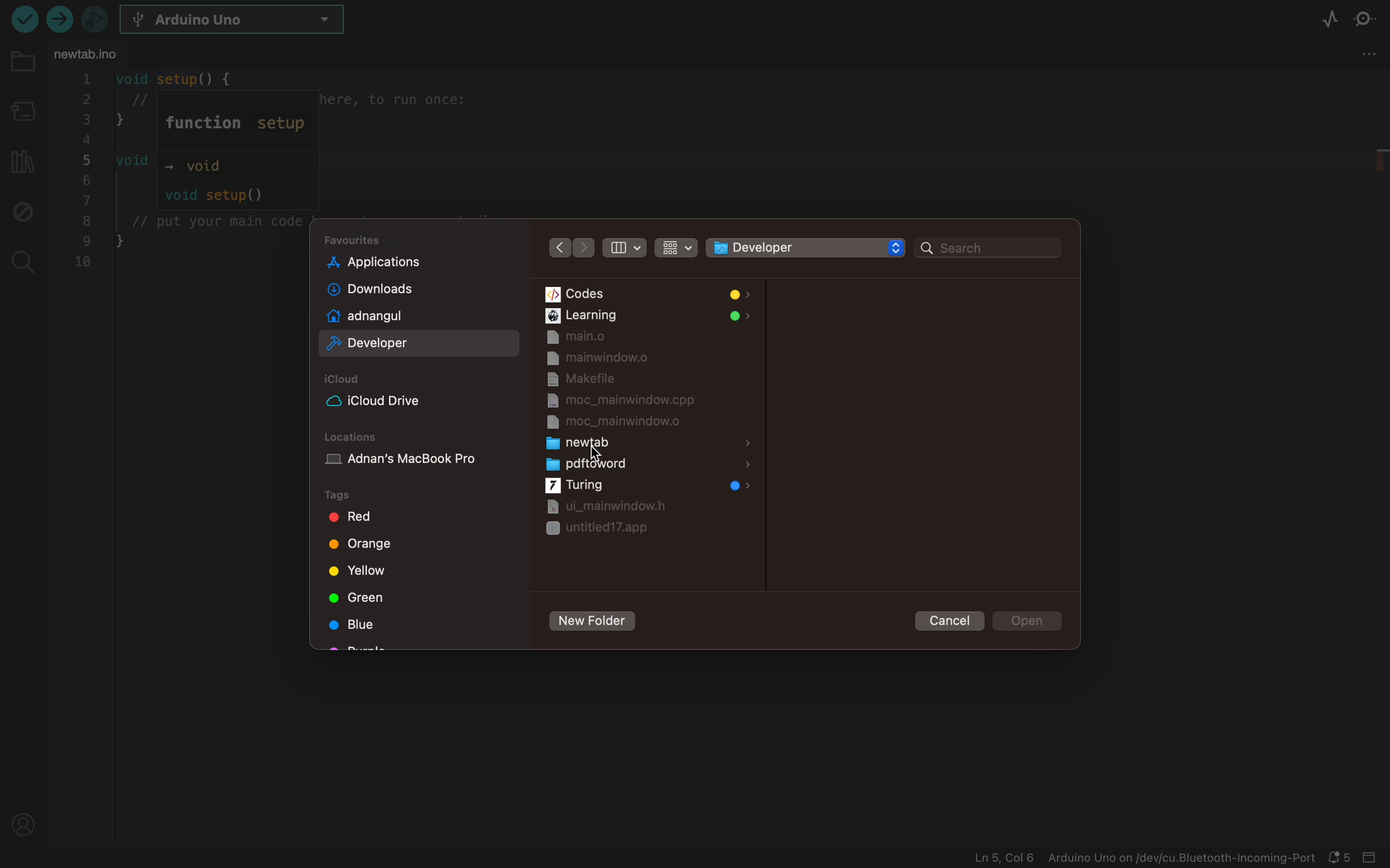 Image resolution: width=1390 pixels, height=868 pixels. I want to click on upload, so click(23, 18).